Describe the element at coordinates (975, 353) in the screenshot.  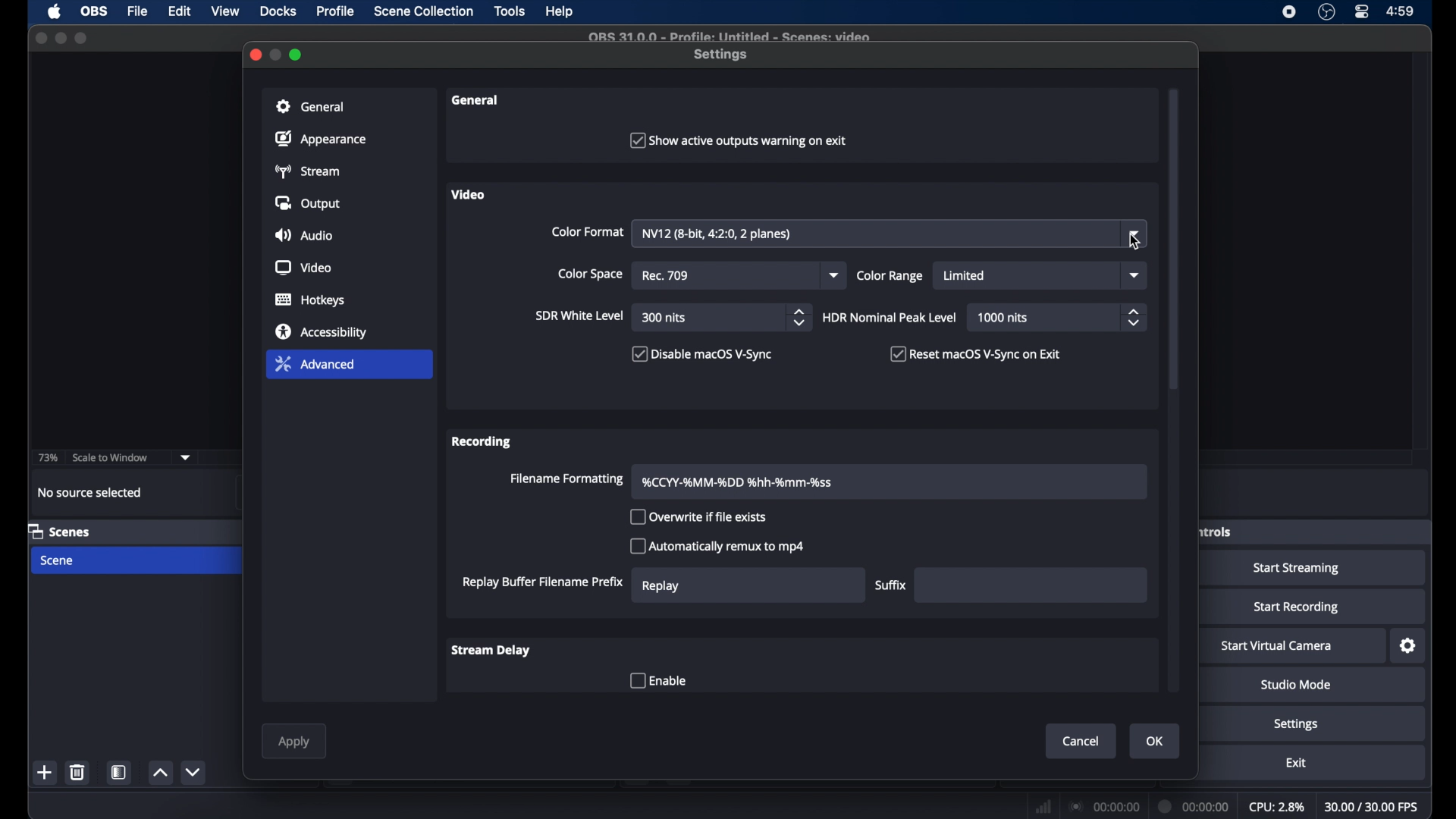
I see `reset macOS V-sync on exit` at that location.